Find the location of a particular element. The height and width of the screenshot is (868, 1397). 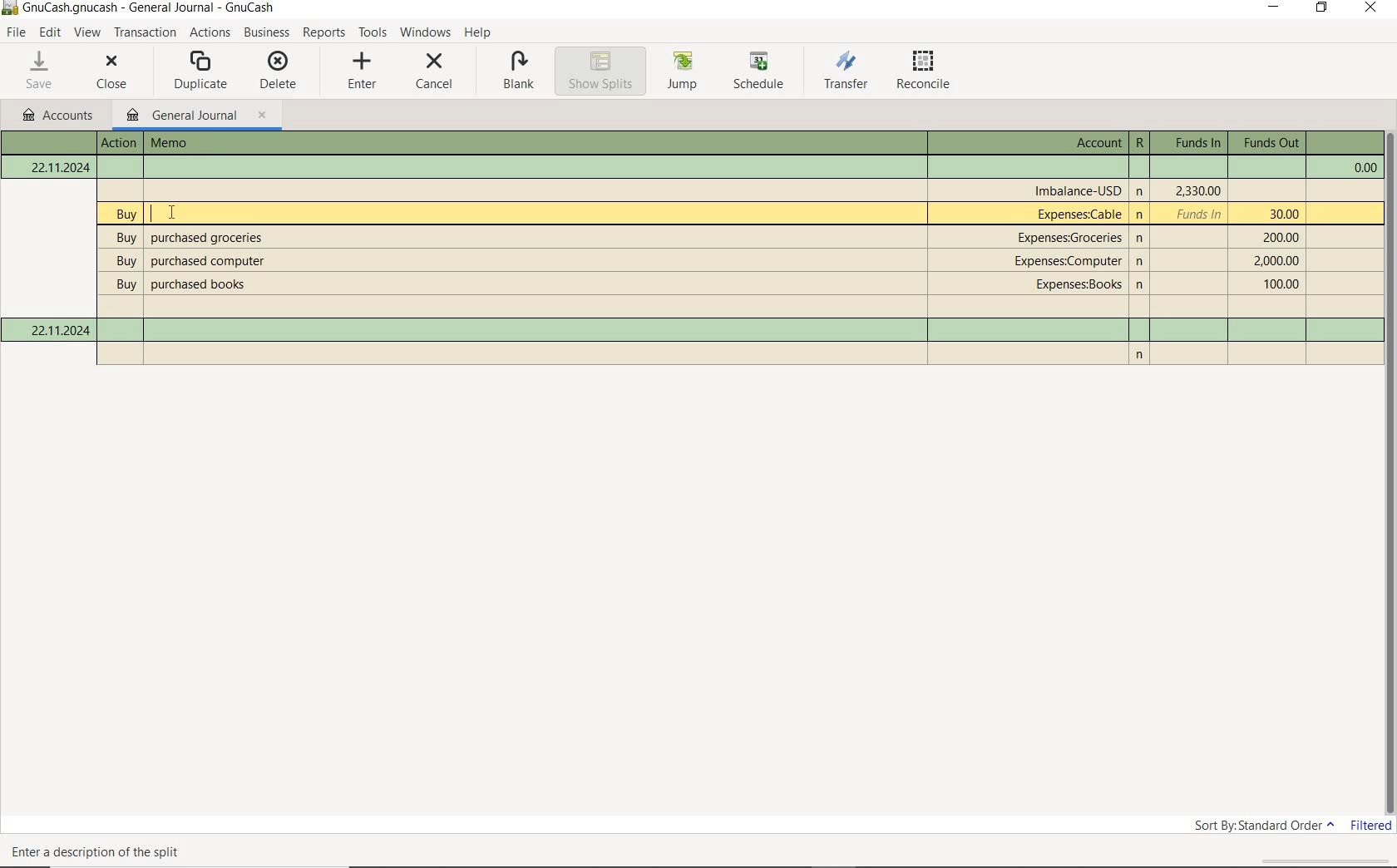

save is located at coordinates (41, 71).